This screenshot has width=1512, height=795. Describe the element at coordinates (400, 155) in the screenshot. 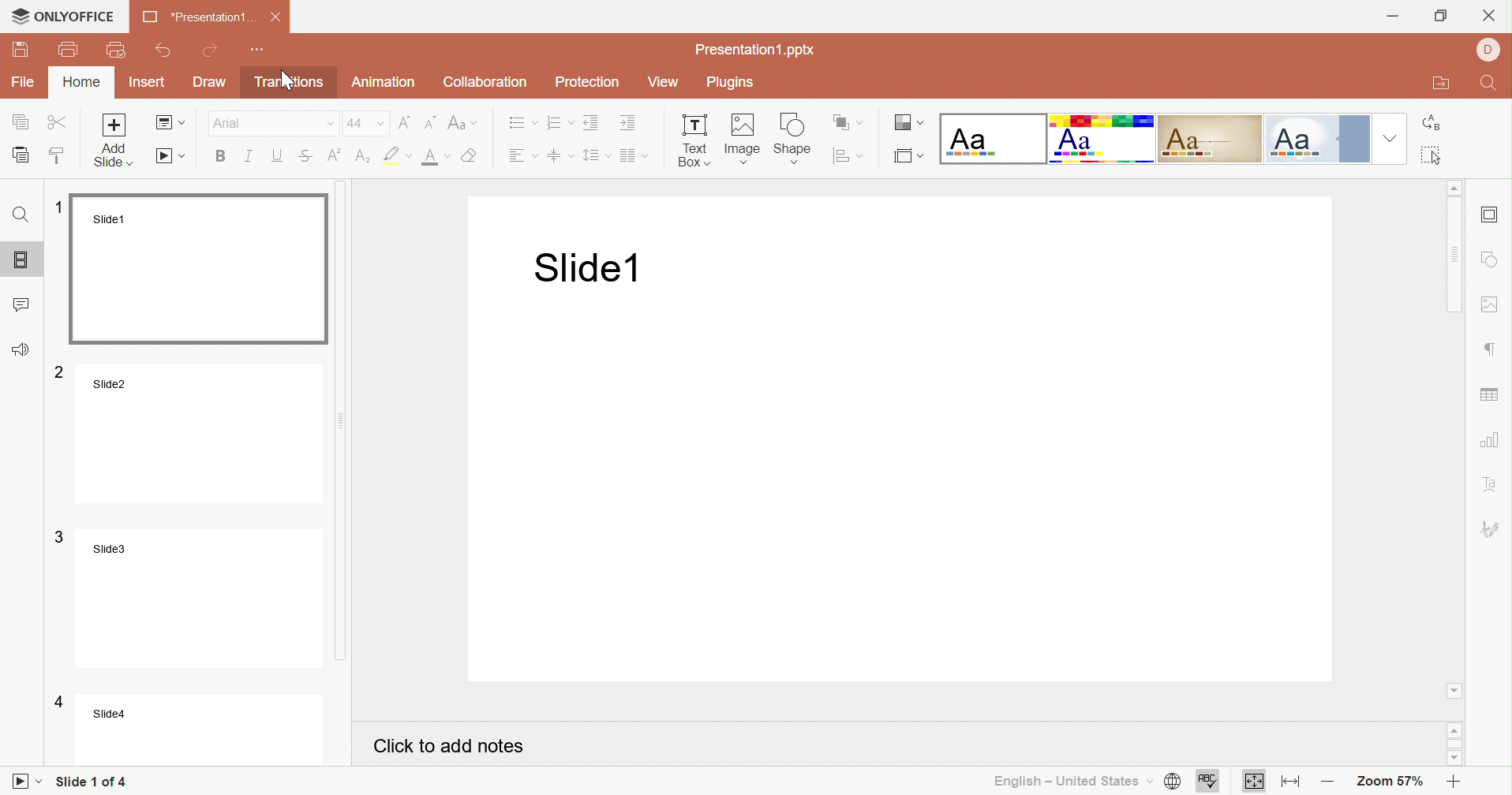

I see `Highlight color` at that location.